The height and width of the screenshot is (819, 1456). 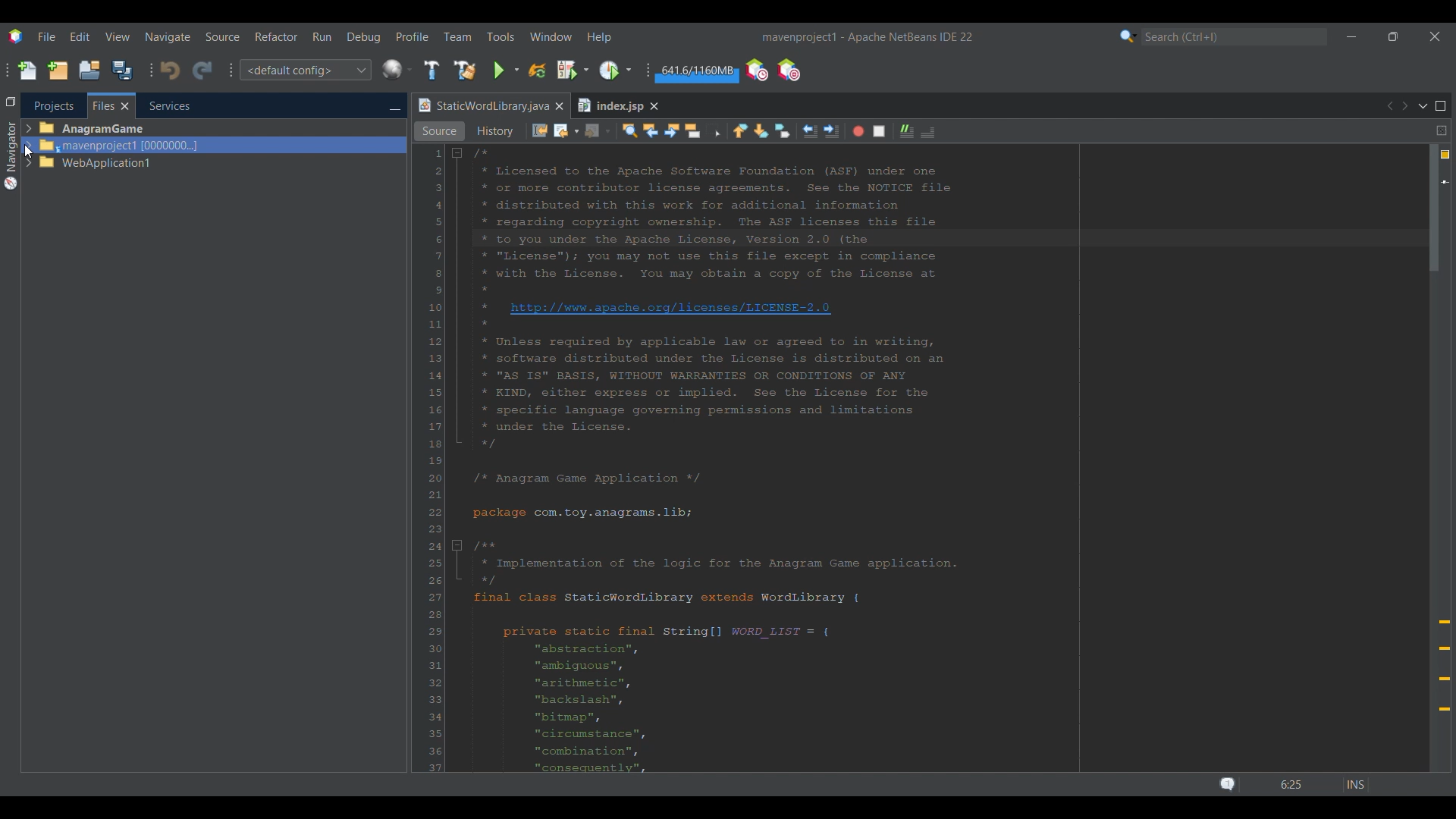 I want to click on Source menu, so click(x=223, y=37).